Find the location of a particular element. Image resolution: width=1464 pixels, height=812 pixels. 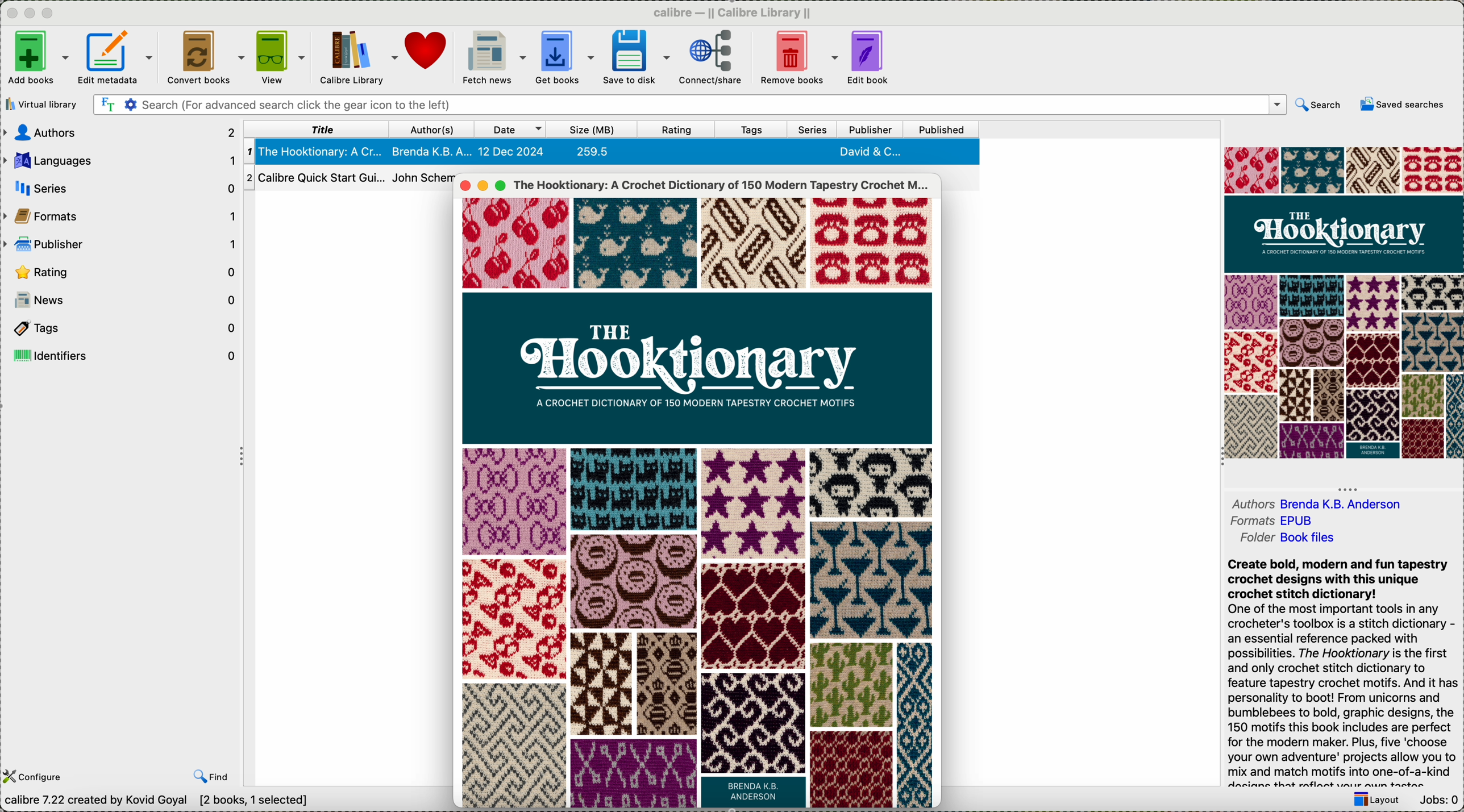

layout is located at coordinates (1372, 801).